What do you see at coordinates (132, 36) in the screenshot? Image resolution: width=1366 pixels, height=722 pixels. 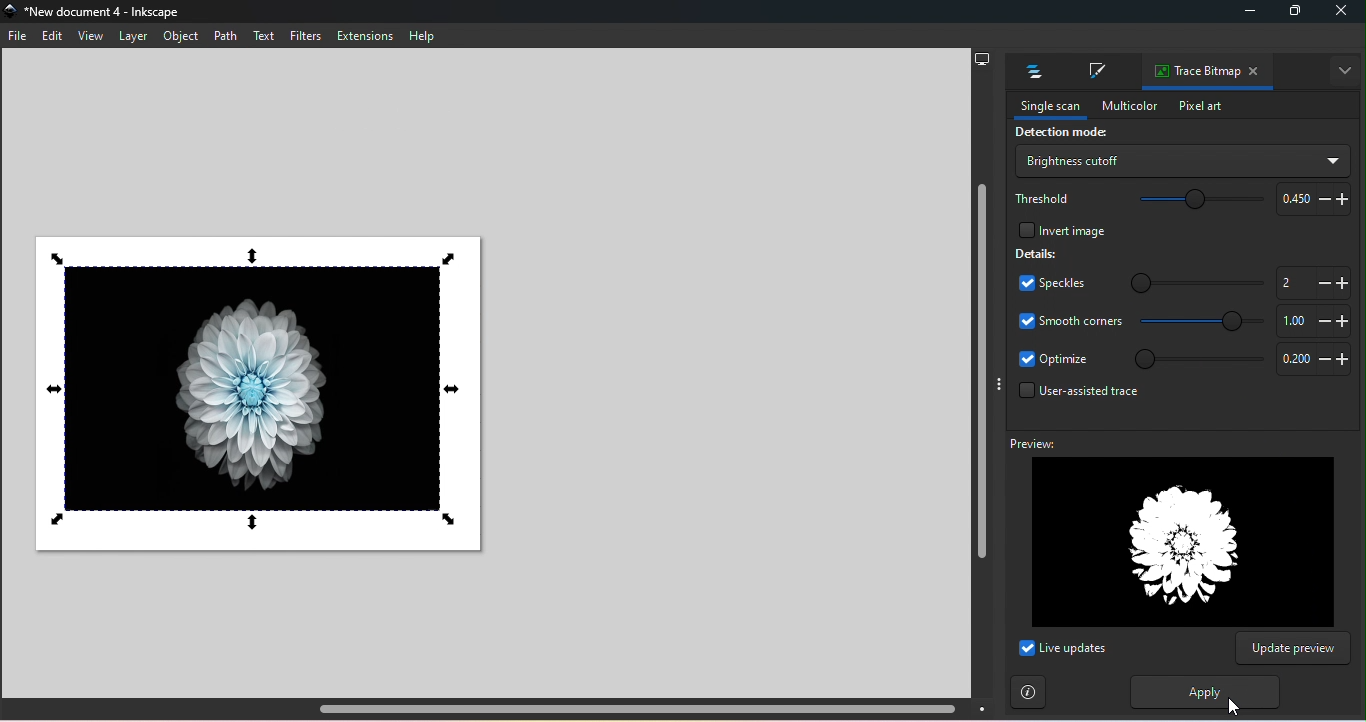 I see `Layer` at bounding box center [132, 36].